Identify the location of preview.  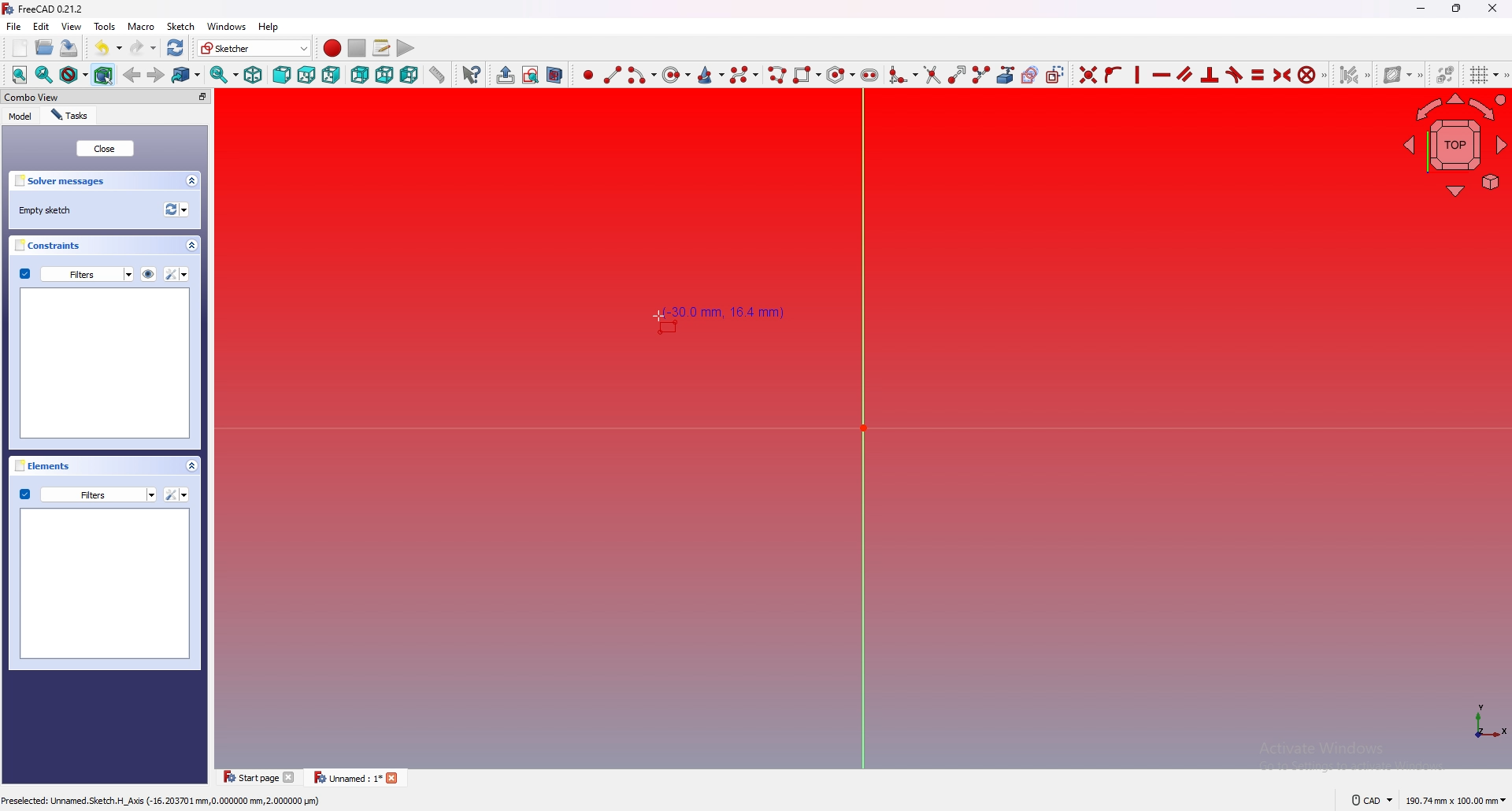
(106, 582).